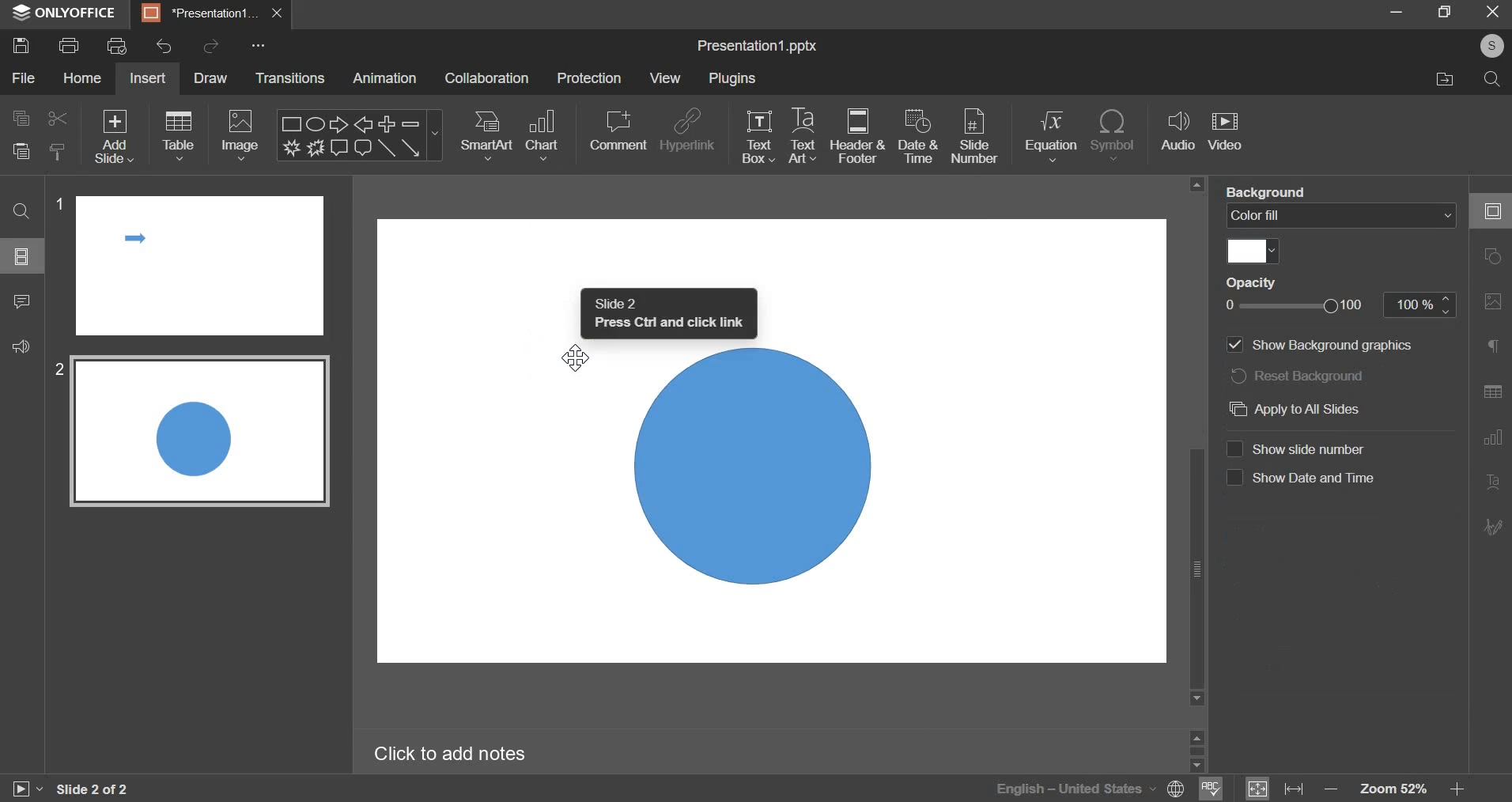 Image resolution: width=1512 pixels, height=802 pixels. I want to click on slide 1 of 2, so click(95, 789).